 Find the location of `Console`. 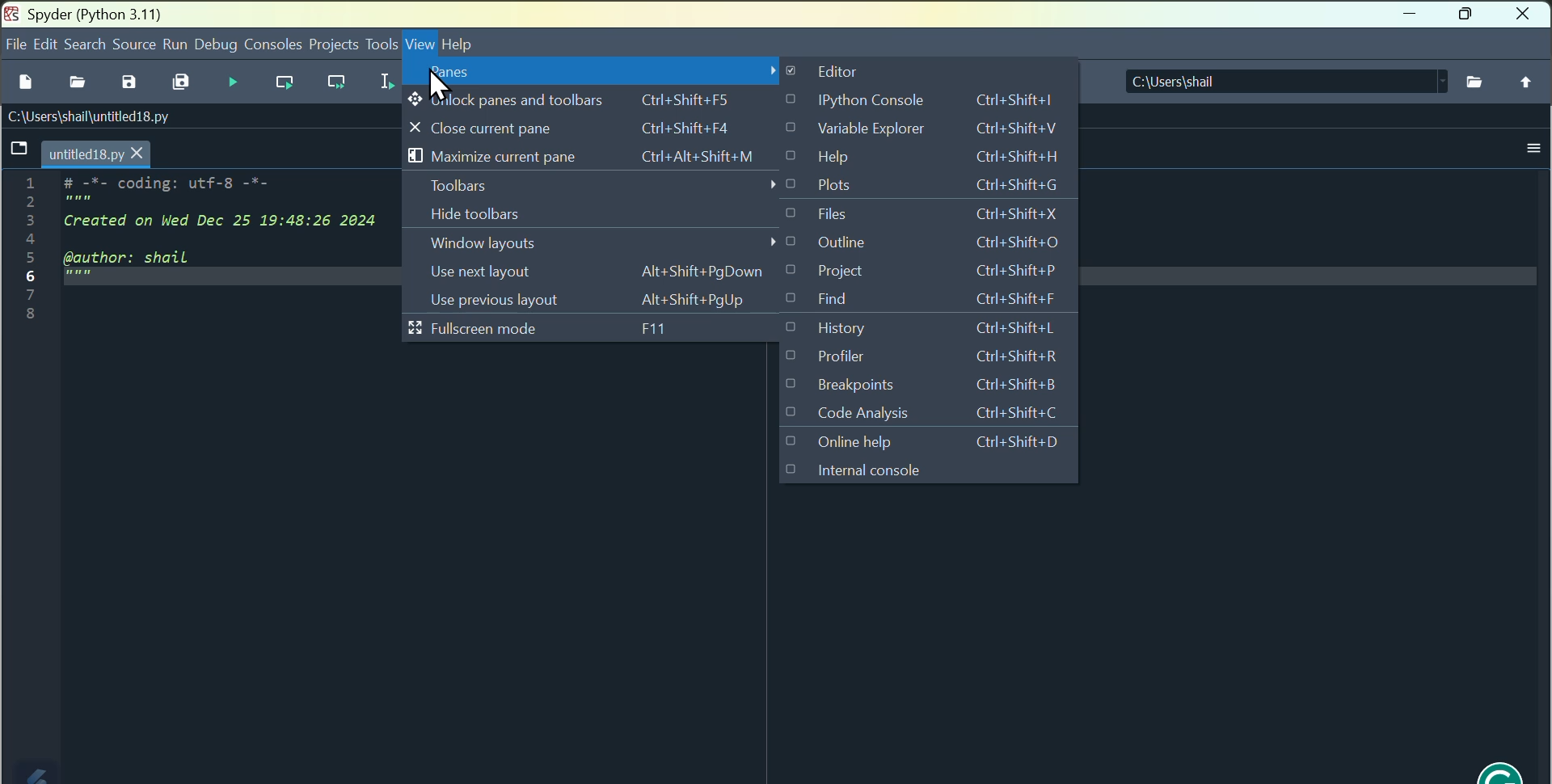

Console is located at coordinates (272, 42).